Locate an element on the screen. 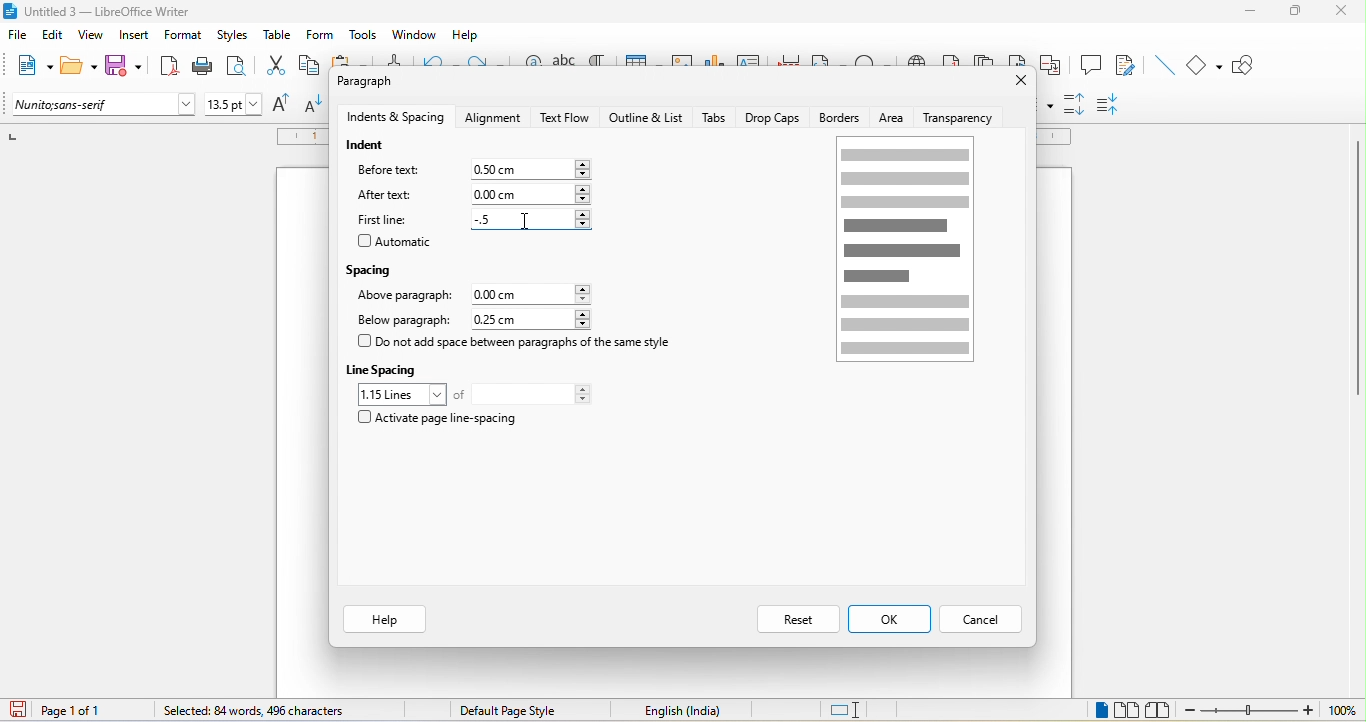 Image resolution: width=1366 pixels, height=722 pixels. 0.00cm is located at coordinates (518, 221).